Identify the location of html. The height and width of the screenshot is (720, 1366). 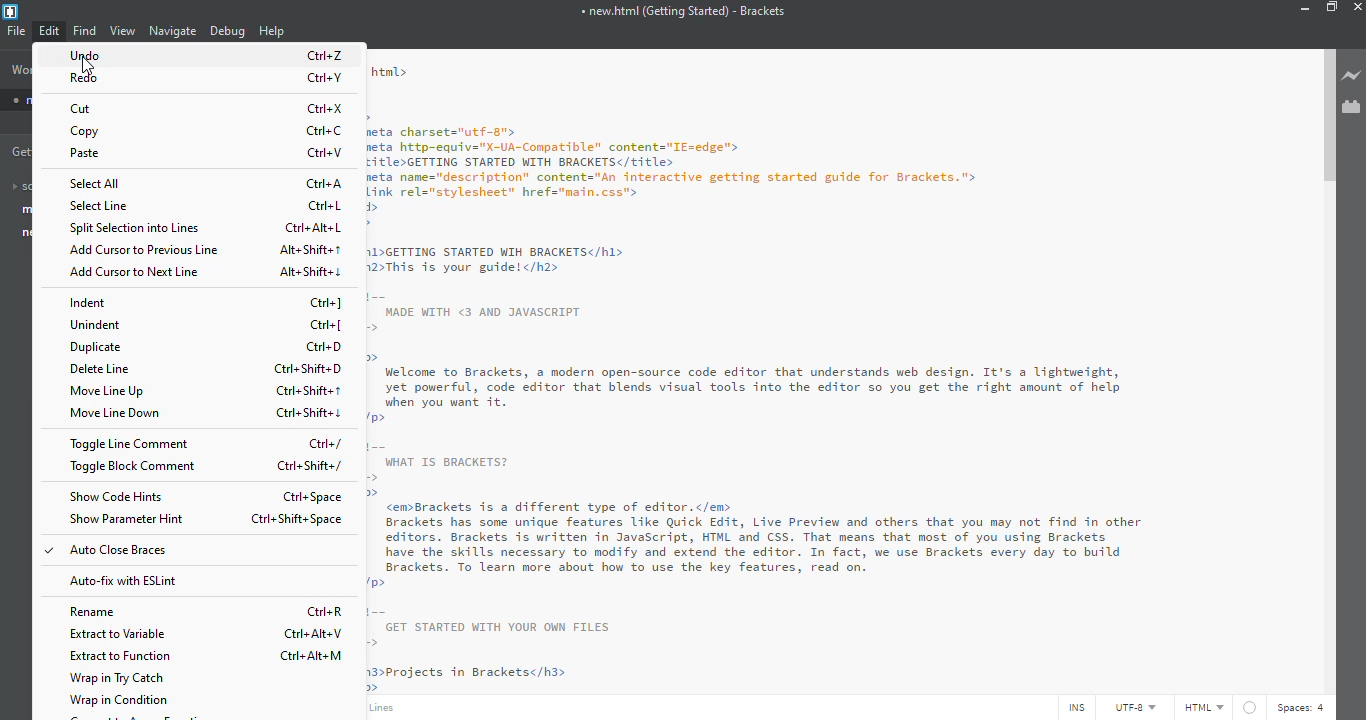
(1203, 707).